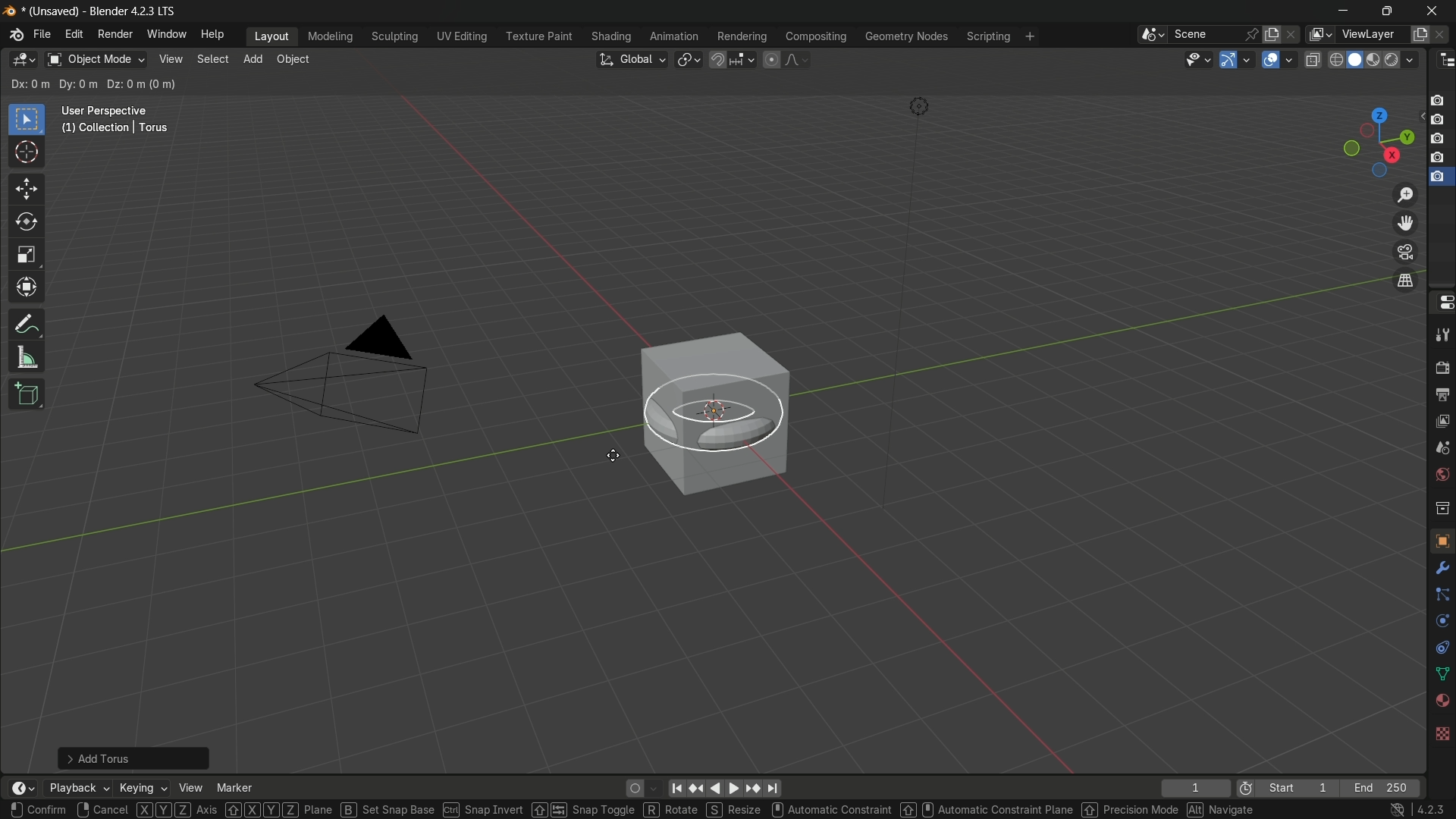  What do you see at coordinates (1199, 59) in the screenshot?
I see `selectability and visibility` at bounding box center [1199, 59].